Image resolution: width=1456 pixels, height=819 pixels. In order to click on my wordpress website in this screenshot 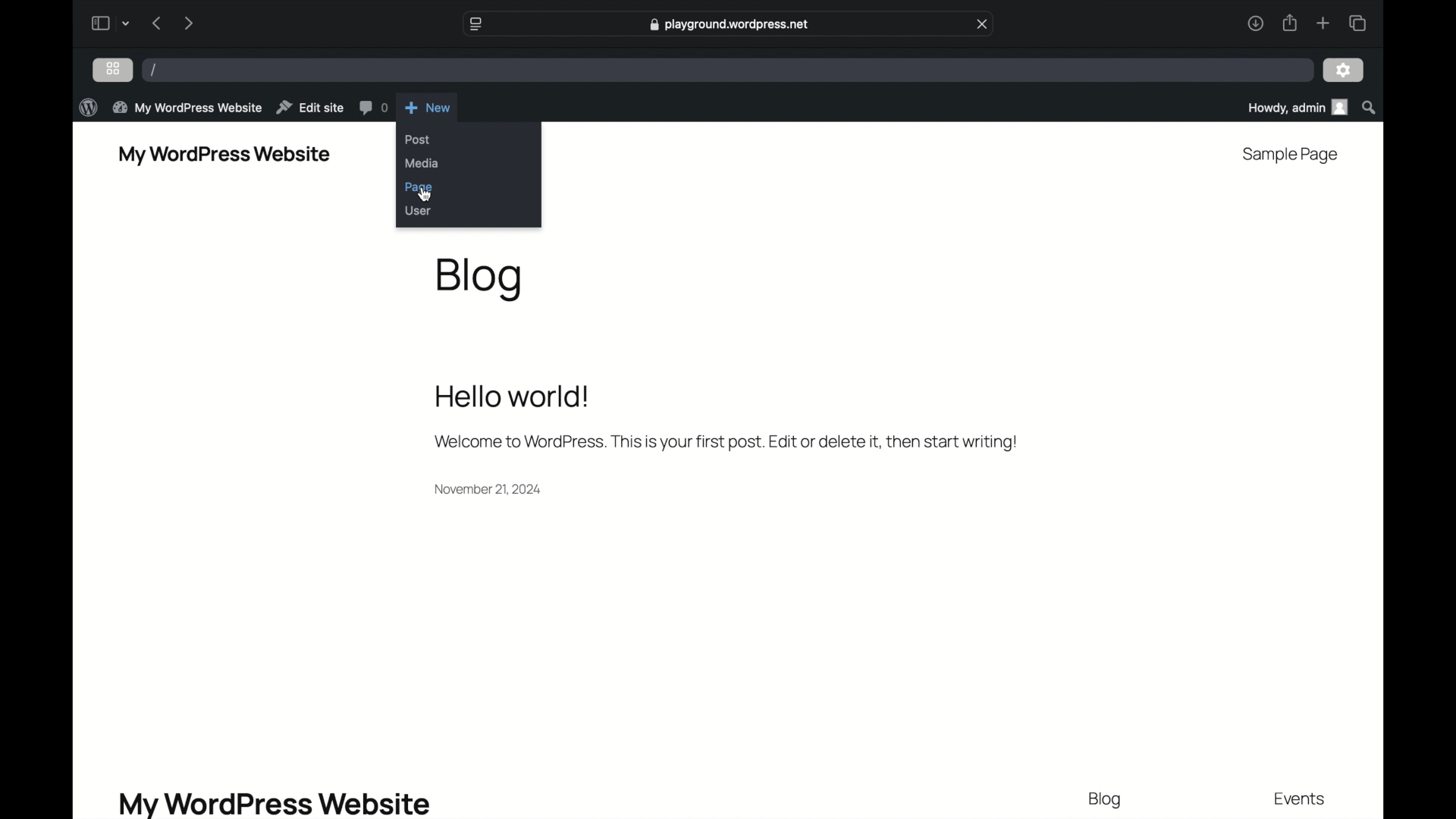, I will do `click(275, 803)`.